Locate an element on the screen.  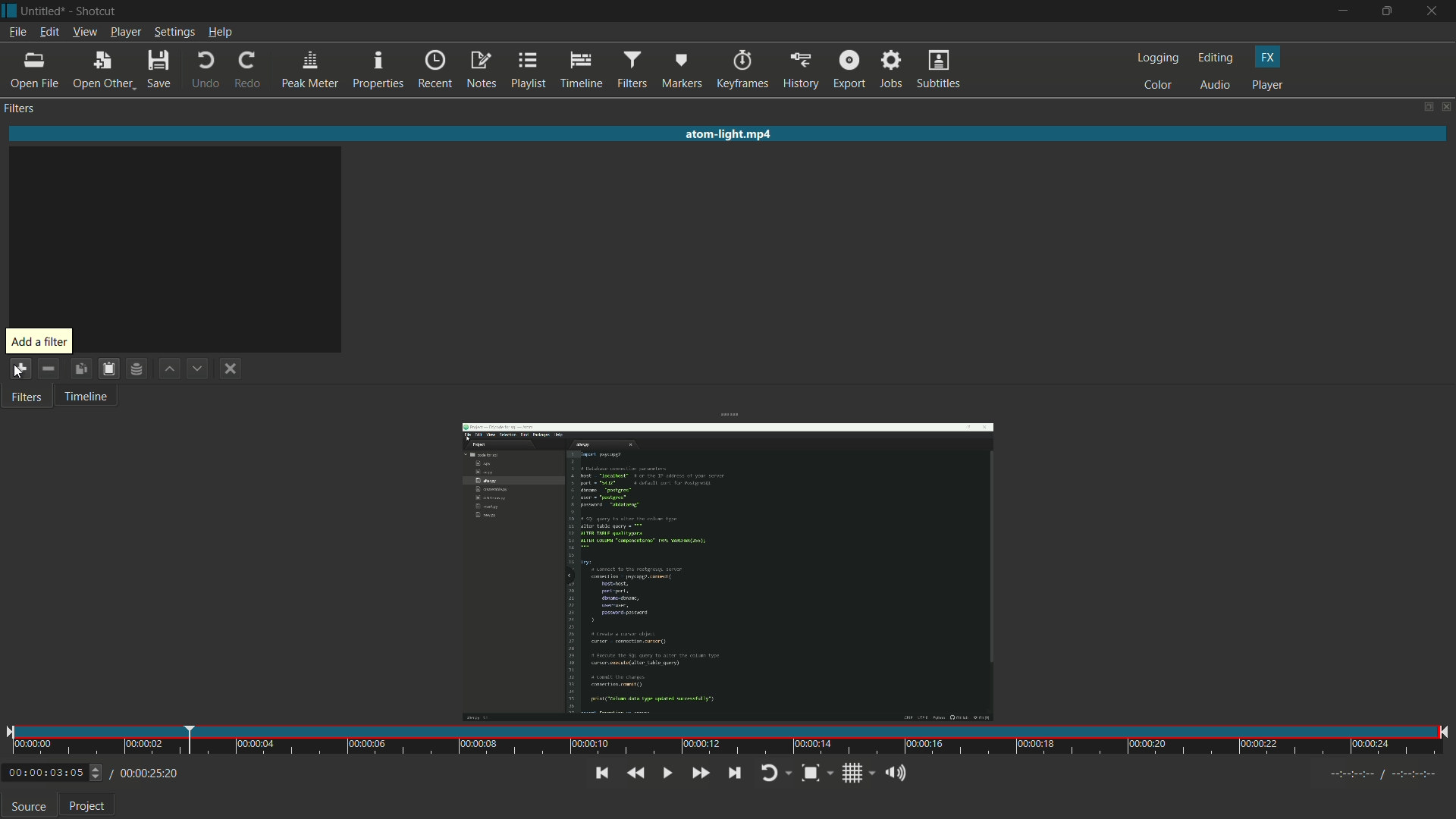
change layout is located at coordinates (1426, 108).